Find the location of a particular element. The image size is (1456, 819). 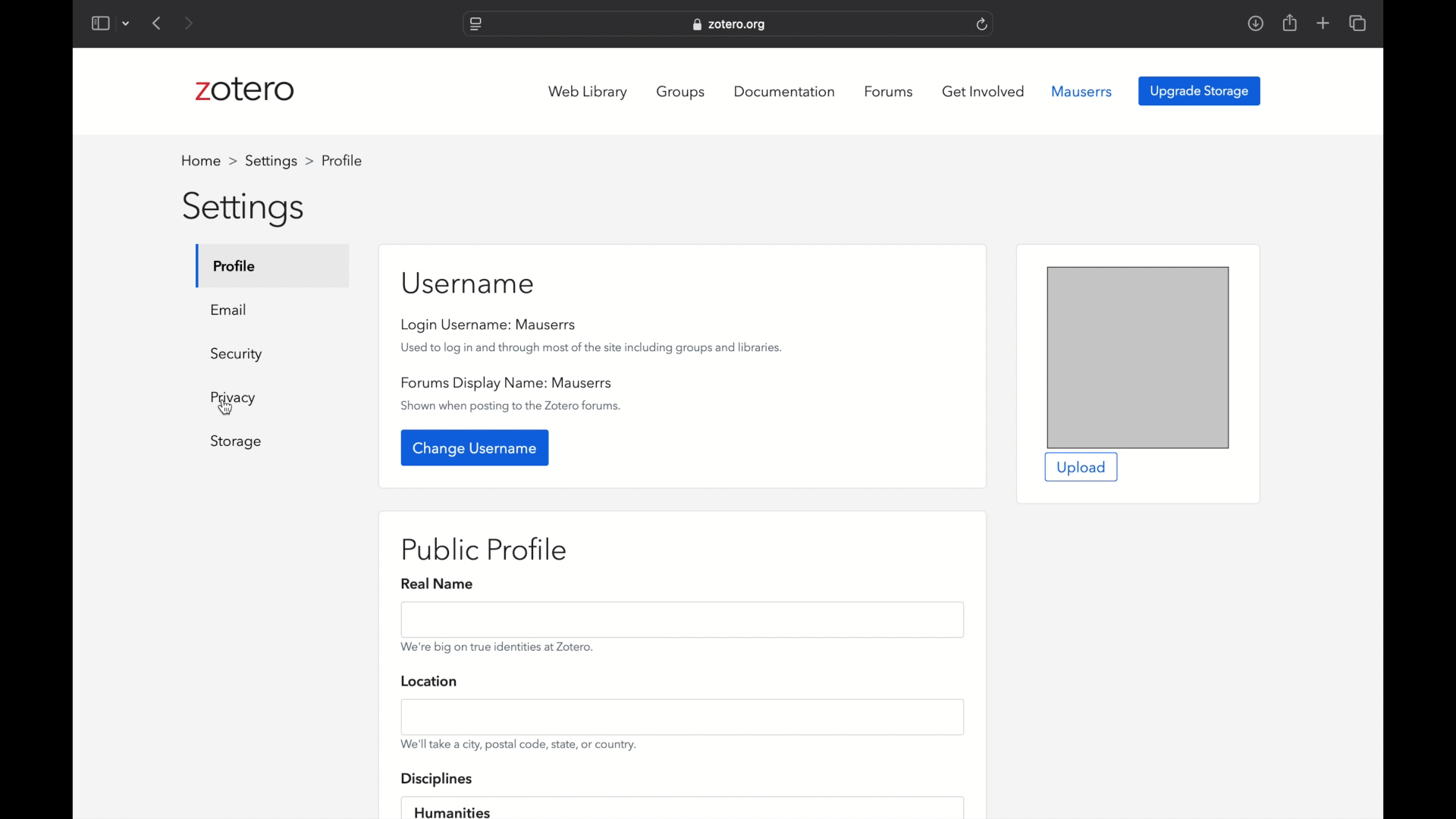

location is located at coordinates (432, 680).